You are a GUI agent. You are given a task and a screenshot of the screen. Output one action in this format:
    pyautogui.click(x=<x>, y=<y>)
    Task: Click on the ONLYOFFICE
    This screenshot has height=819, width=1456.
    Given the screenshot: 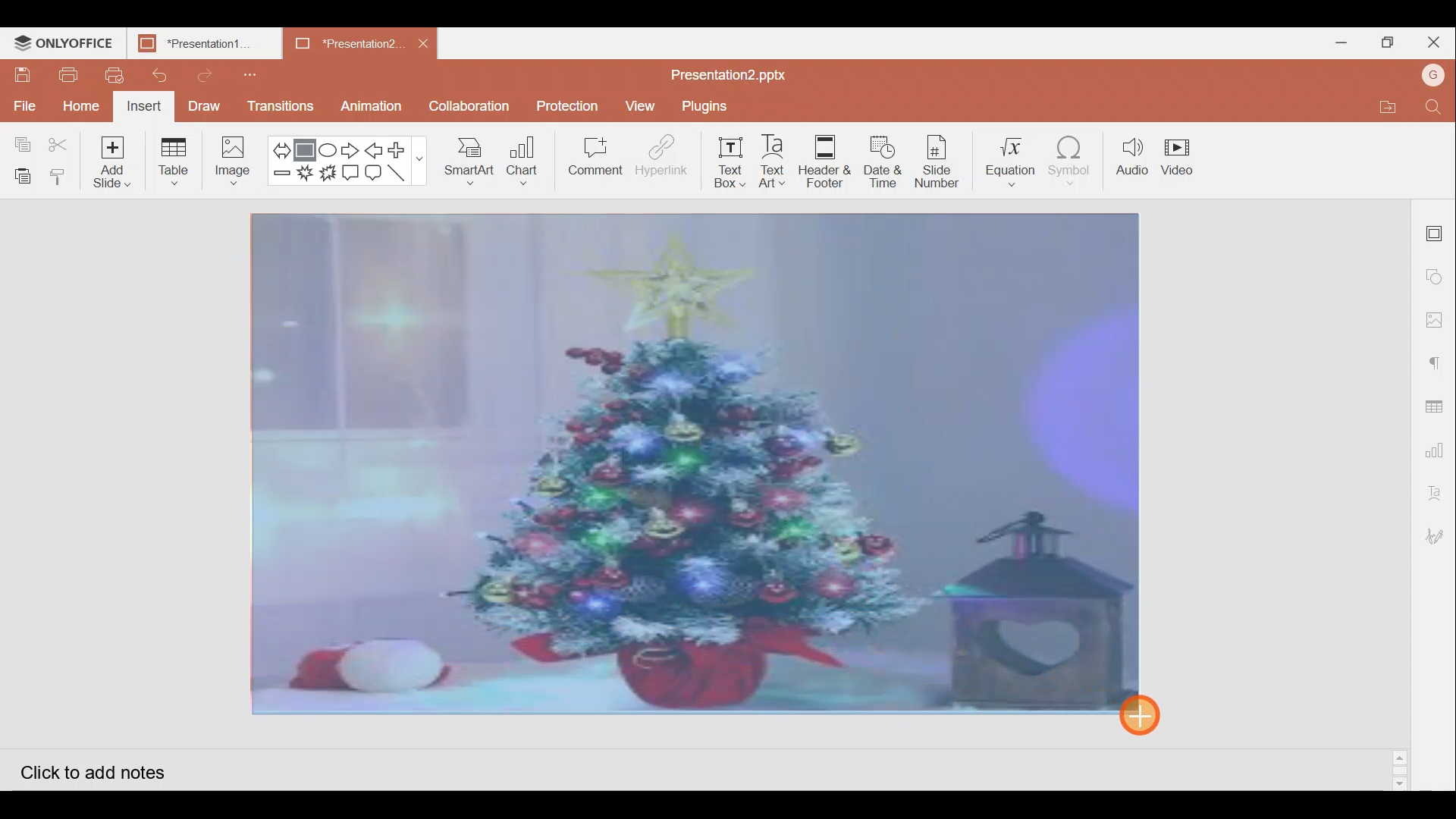 What is the action you would take?
    pyautogui.click(x=64, y=40)
    